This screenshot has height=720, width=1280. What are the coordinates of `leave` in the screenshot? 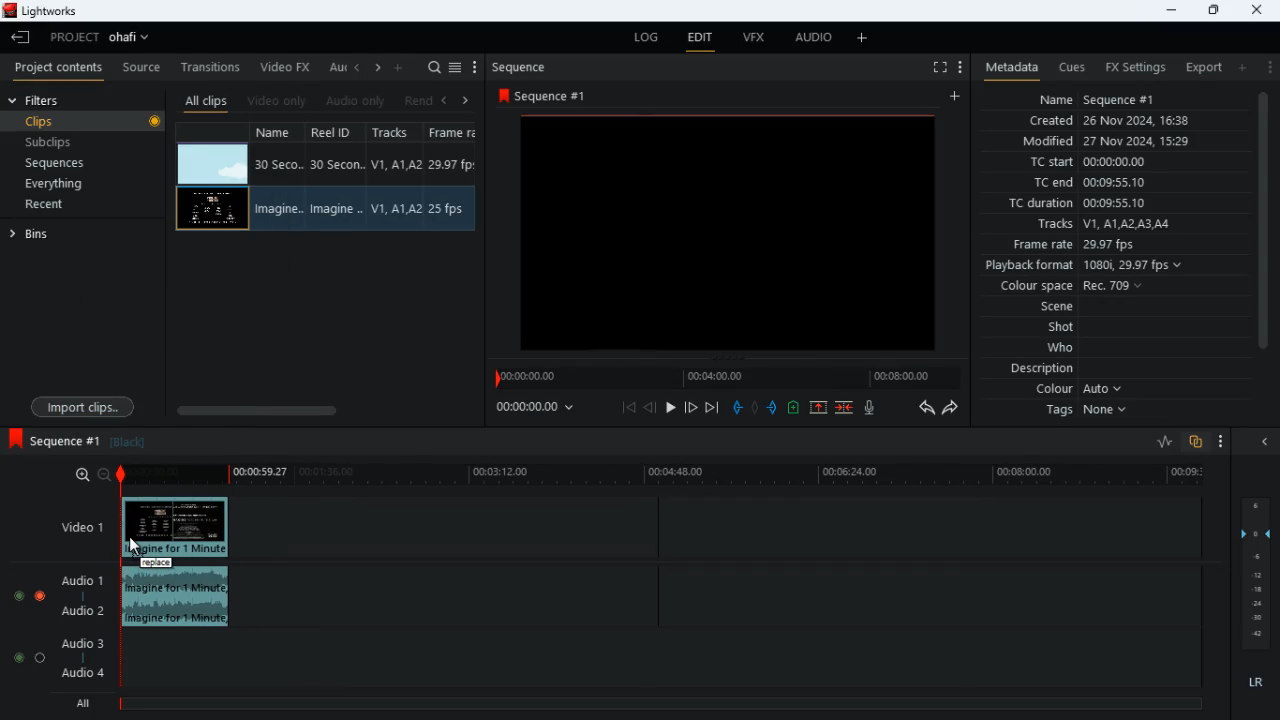 It's located at (22, 37).